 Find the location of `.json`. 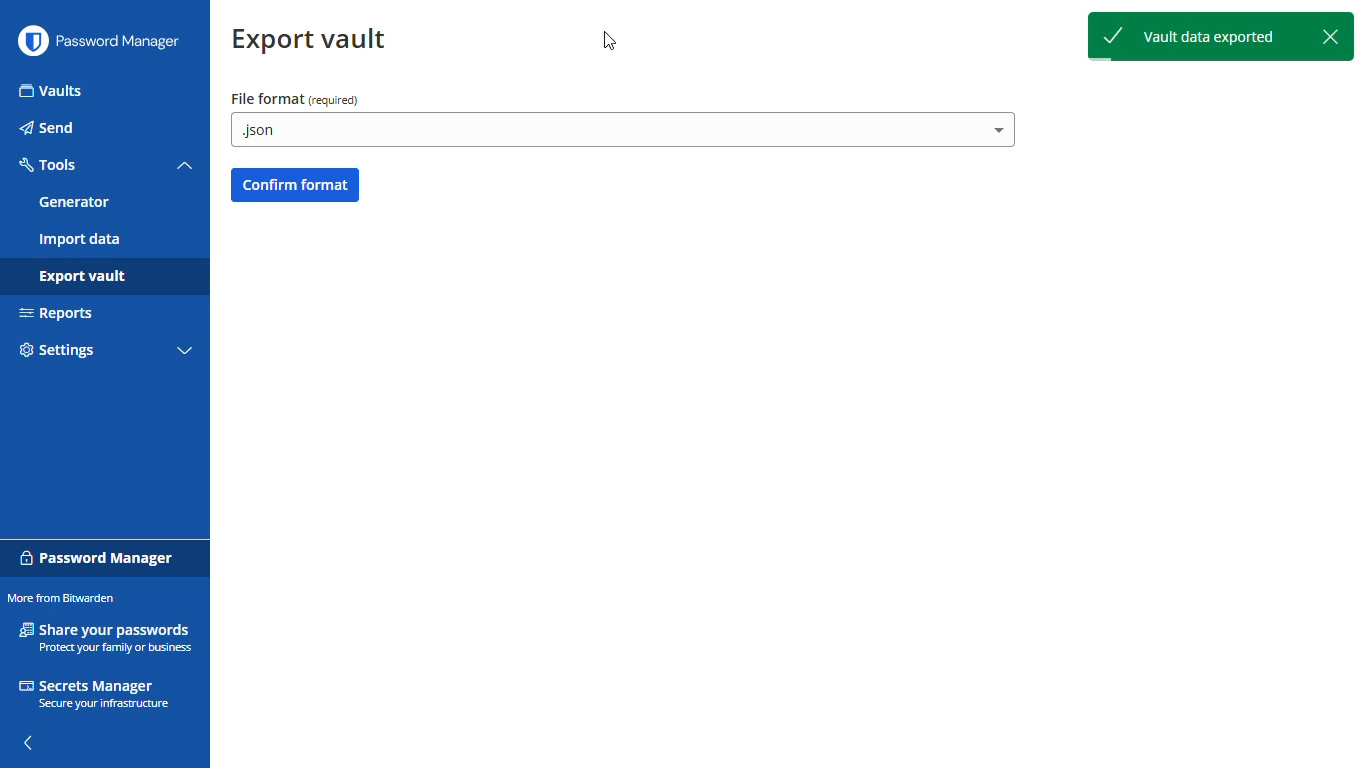

.json is located at coordinates (624, 132).